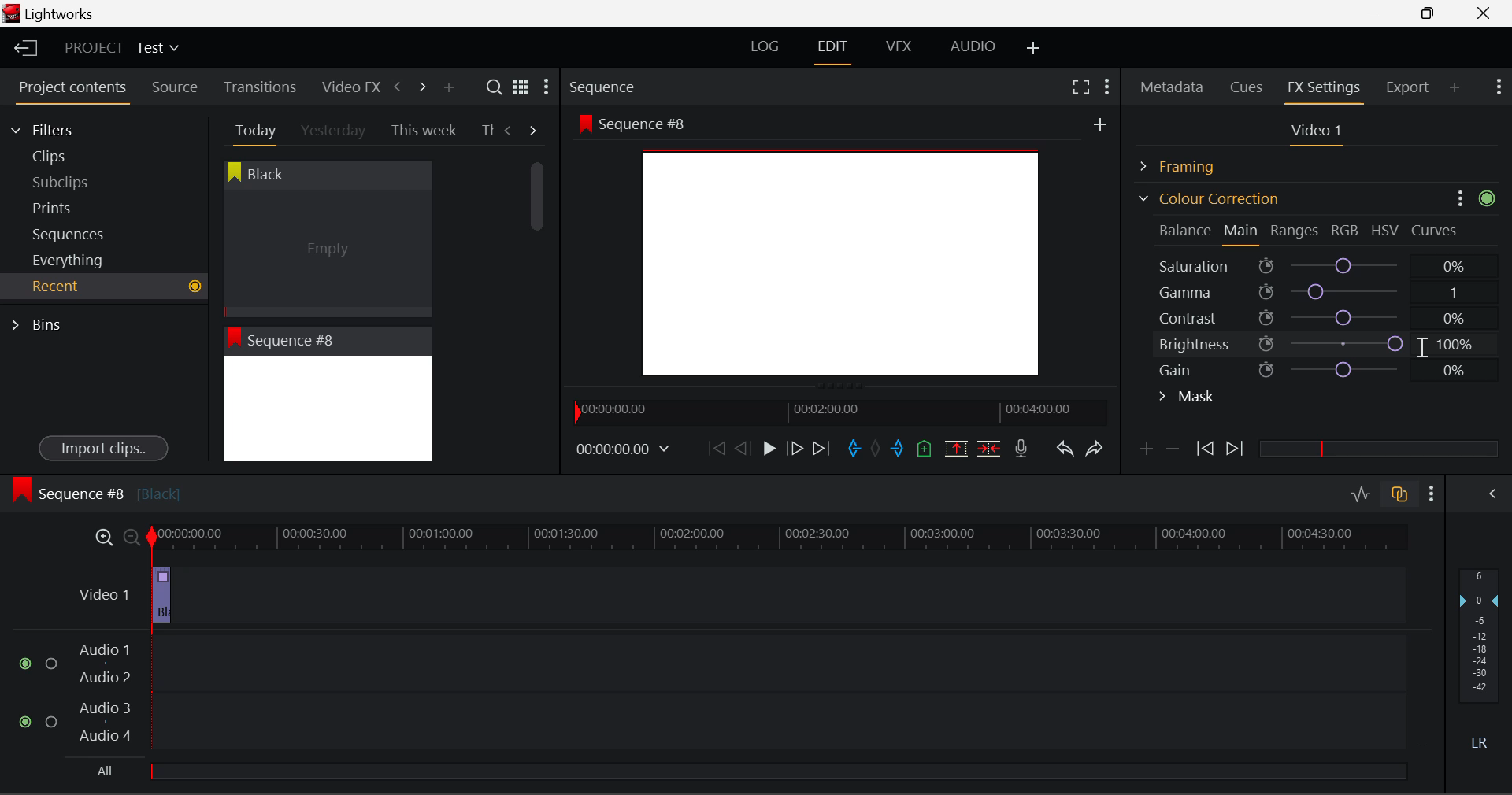 The height and width of the screenshot is (795, 1512). What do you see at coordinates (1379, 13) in the screenshot?
I see `Restore Down` at bounding box center [1379, 13].